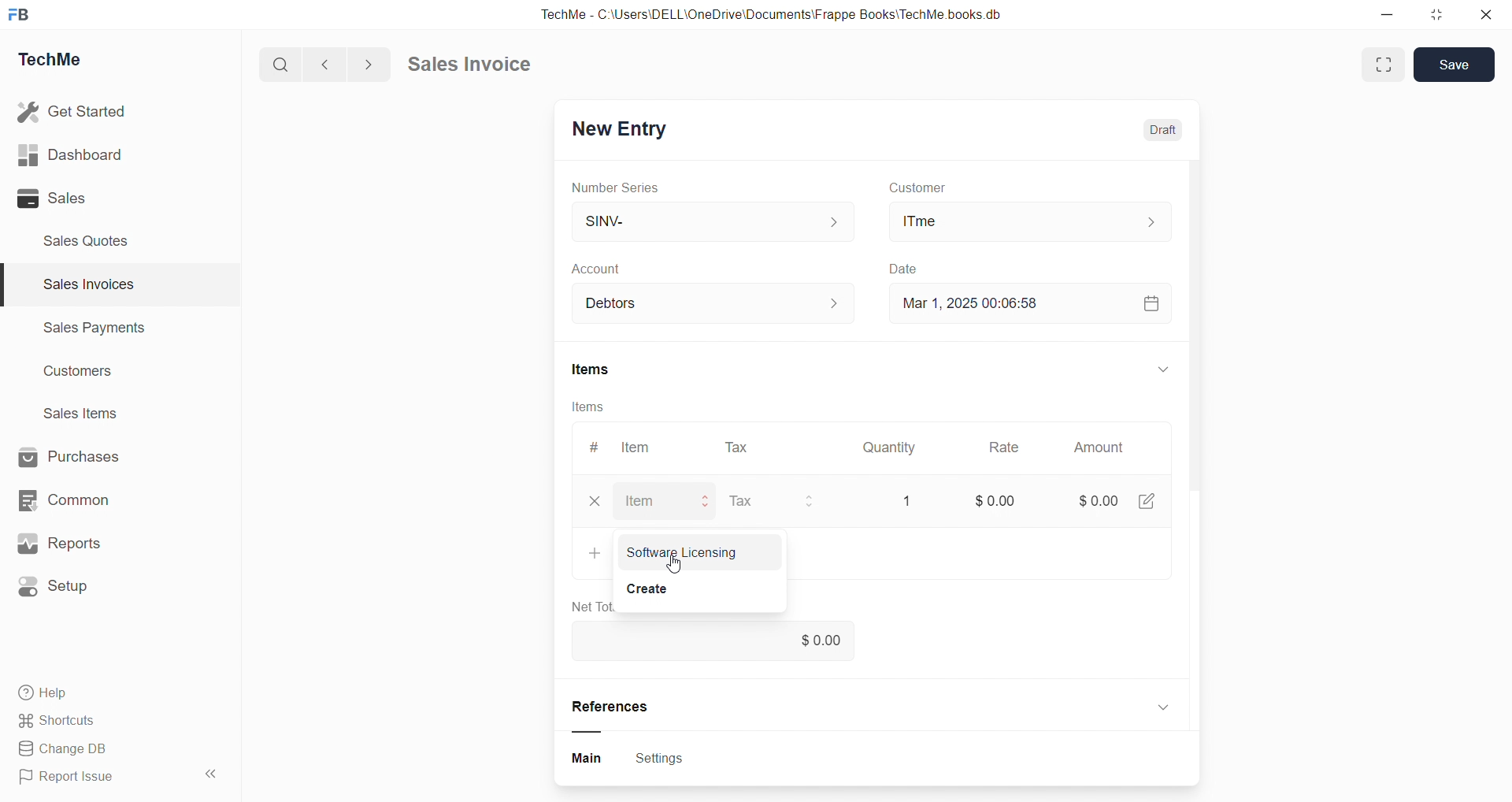 The width and height of the screenshot is (1512, 802). What do you see at coordinates (212, 771) in the screenshot?
I see `«` at bounding box center [212, 771].